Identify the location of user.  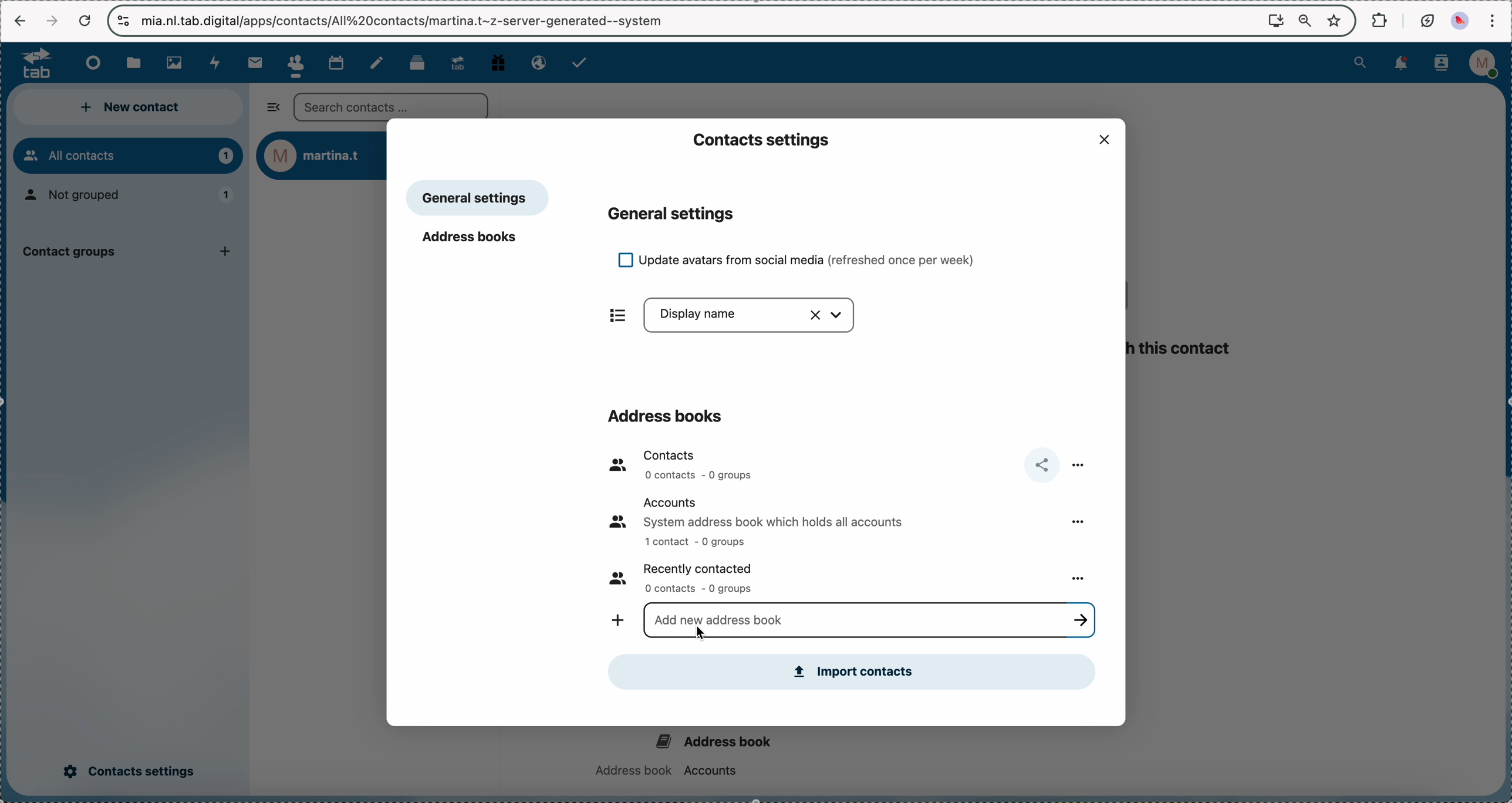
(321, 157).